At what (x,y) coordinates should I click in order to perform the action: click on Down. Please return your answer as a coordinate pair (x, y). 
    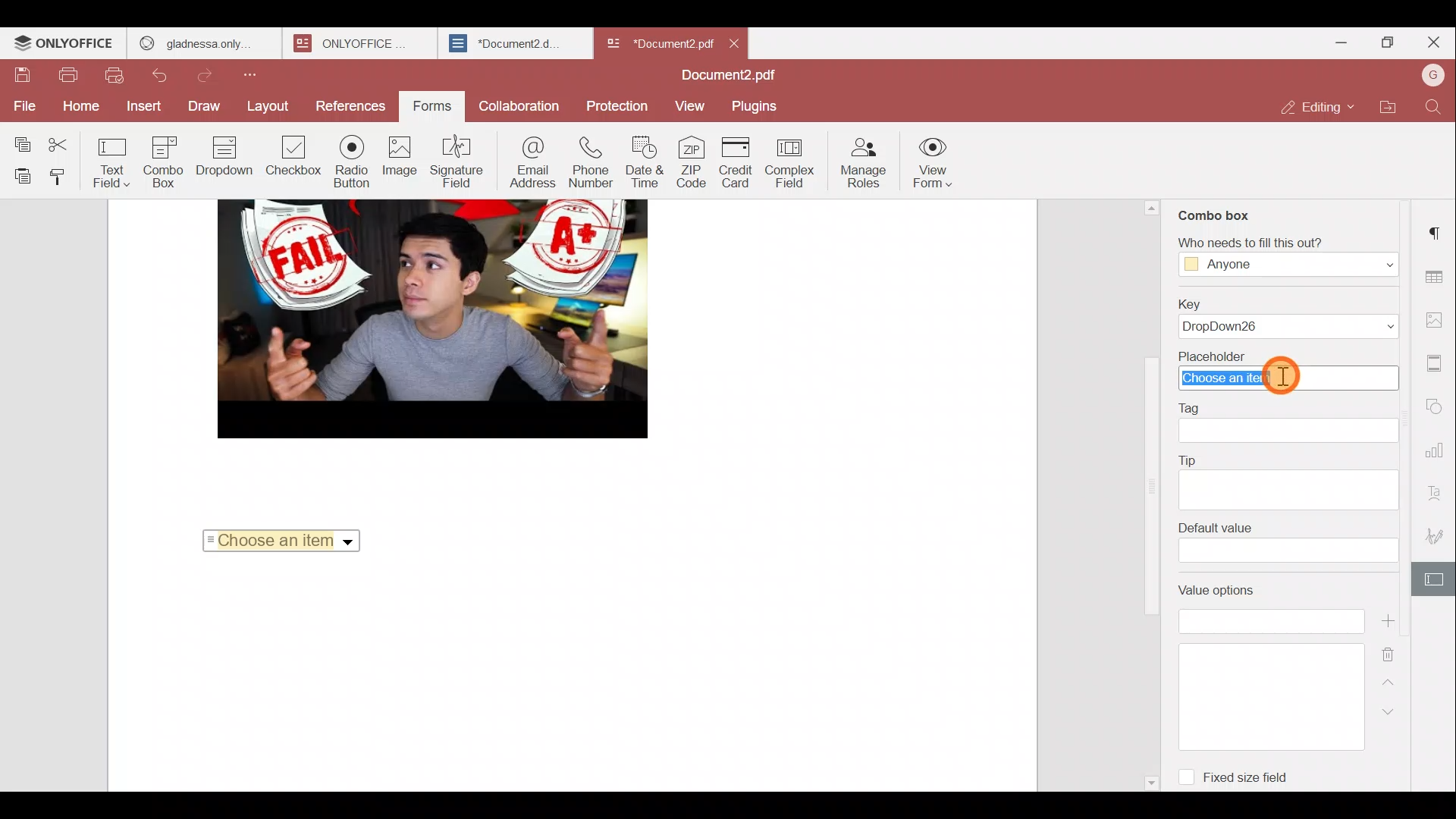
    Looking at the image, I should click on (1395, 718).